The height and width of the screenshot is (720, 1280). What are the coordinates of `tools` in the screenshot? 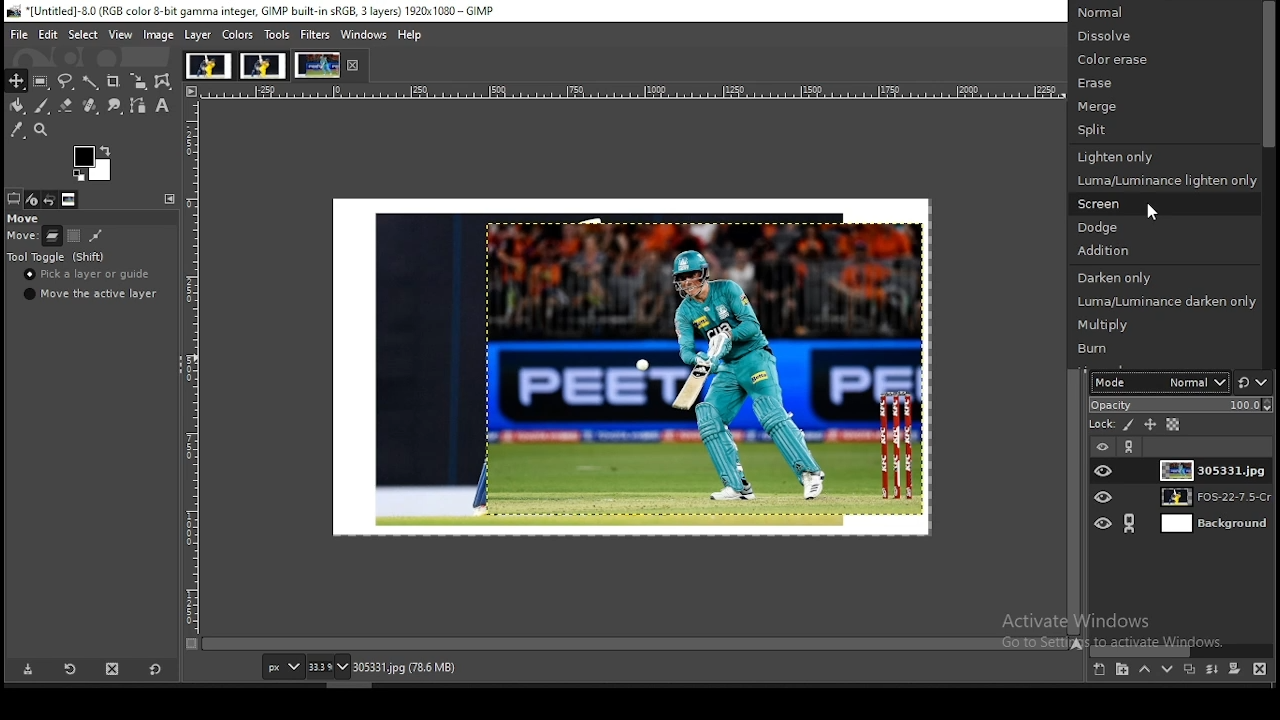 It's located at (278, 34).